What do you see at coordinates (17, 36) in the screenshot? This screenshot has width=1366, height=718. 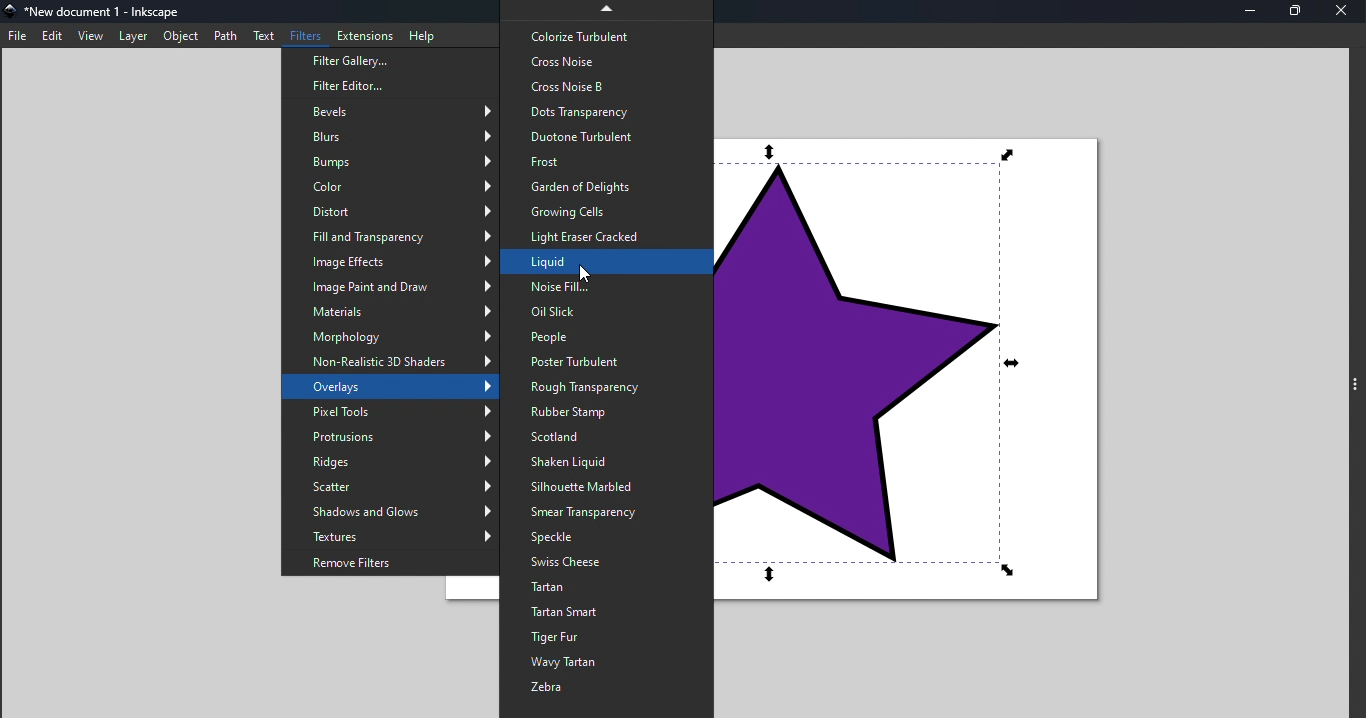 I see `file` at bounding box center [17, 36].